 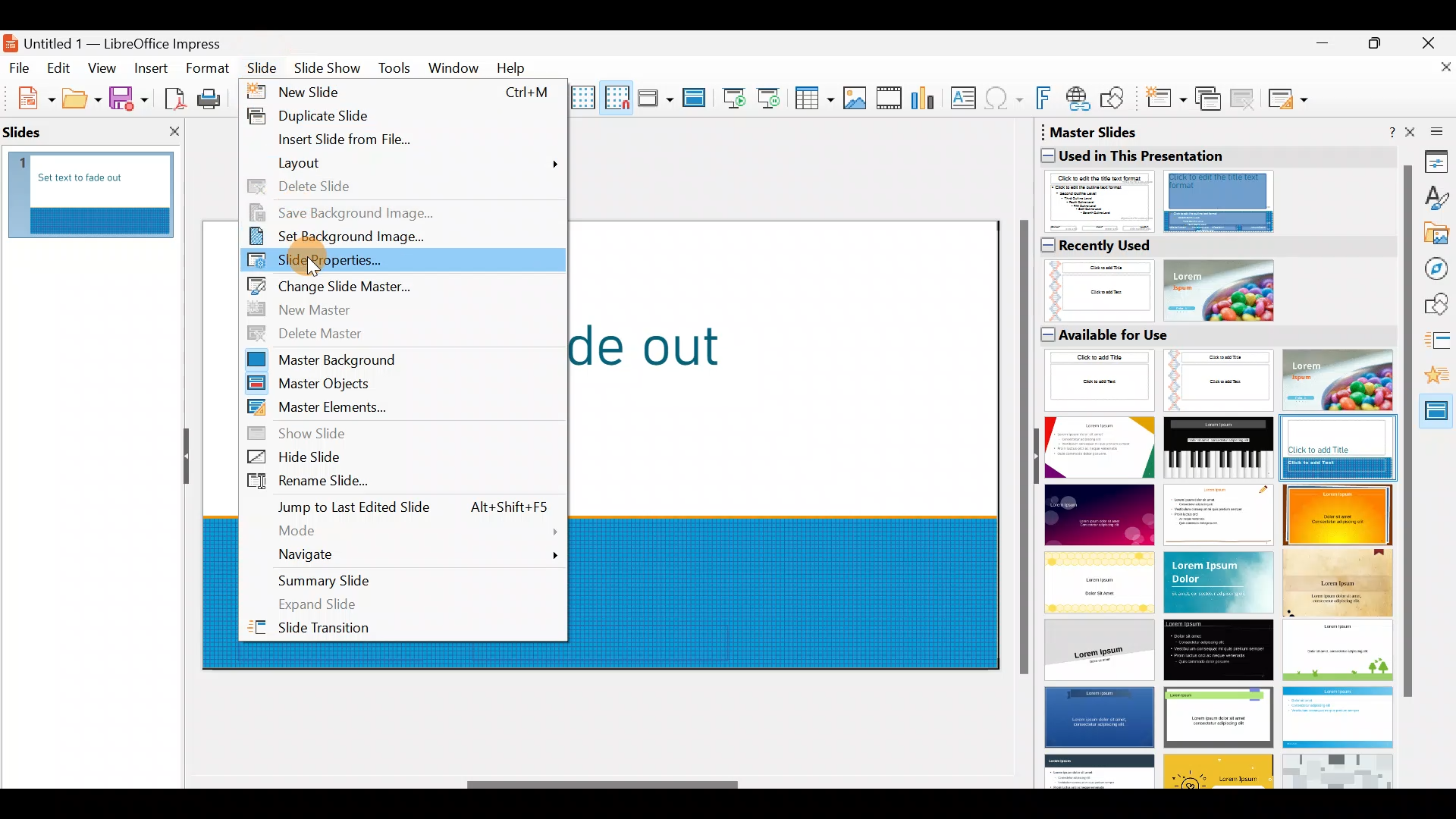 I want to click on slides, so click(x=32, y=133).